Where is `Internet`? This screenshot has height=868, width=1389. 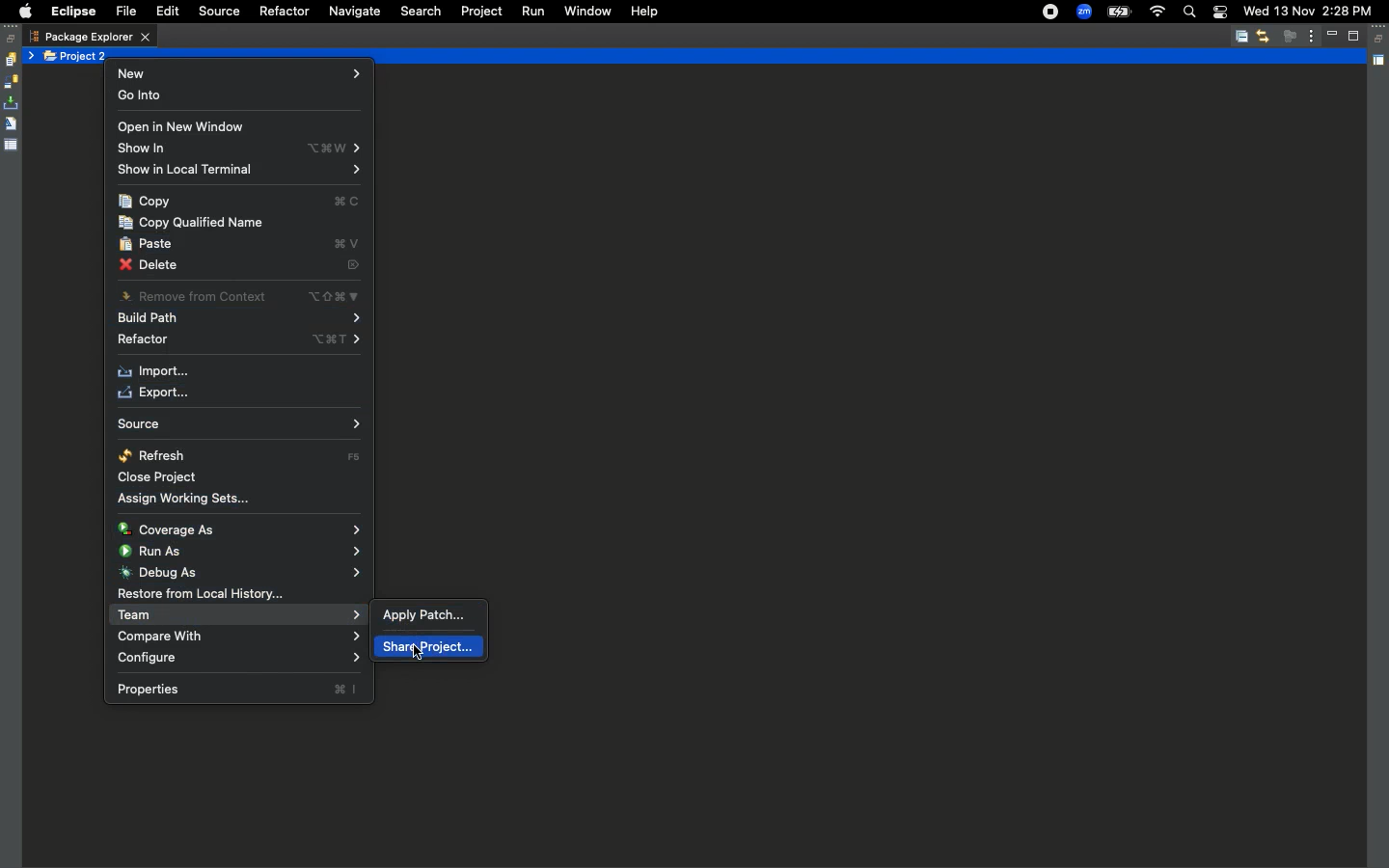 Internet is located at coordinates (1157, 13).